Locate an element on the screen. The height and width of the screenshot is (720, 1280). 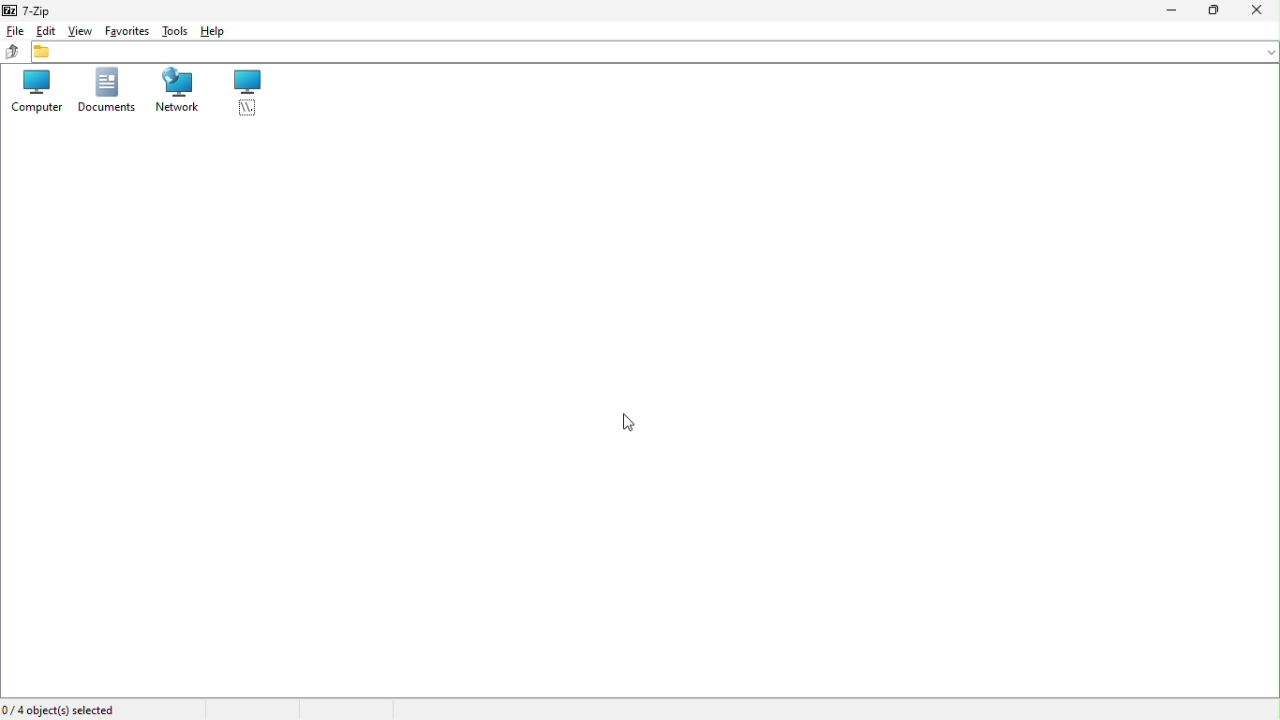
Close is located at coordinates (1258, 12).